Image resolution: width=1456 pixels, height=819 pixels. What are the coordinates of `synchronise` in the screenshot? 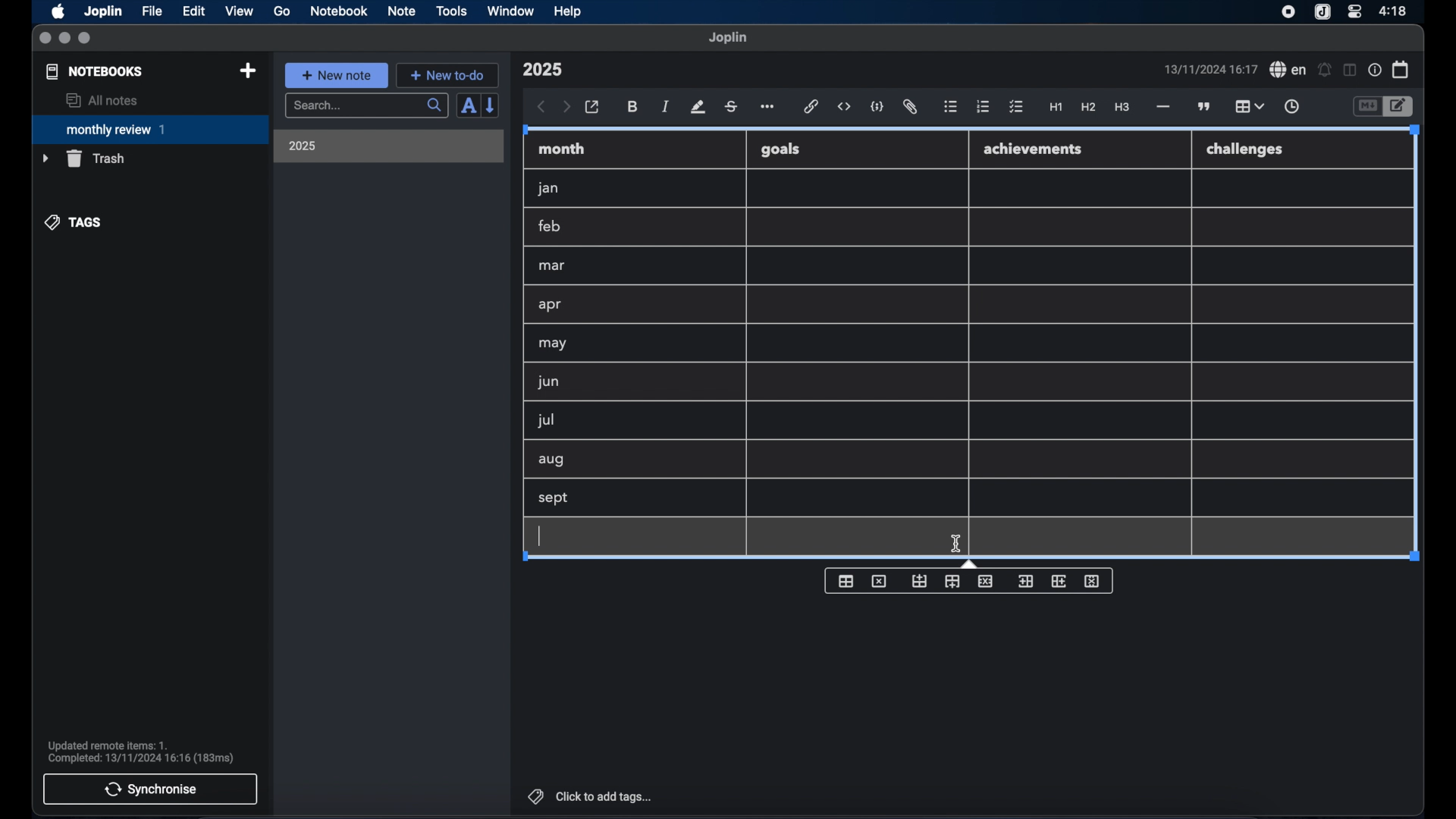 It's located at (150, 789).